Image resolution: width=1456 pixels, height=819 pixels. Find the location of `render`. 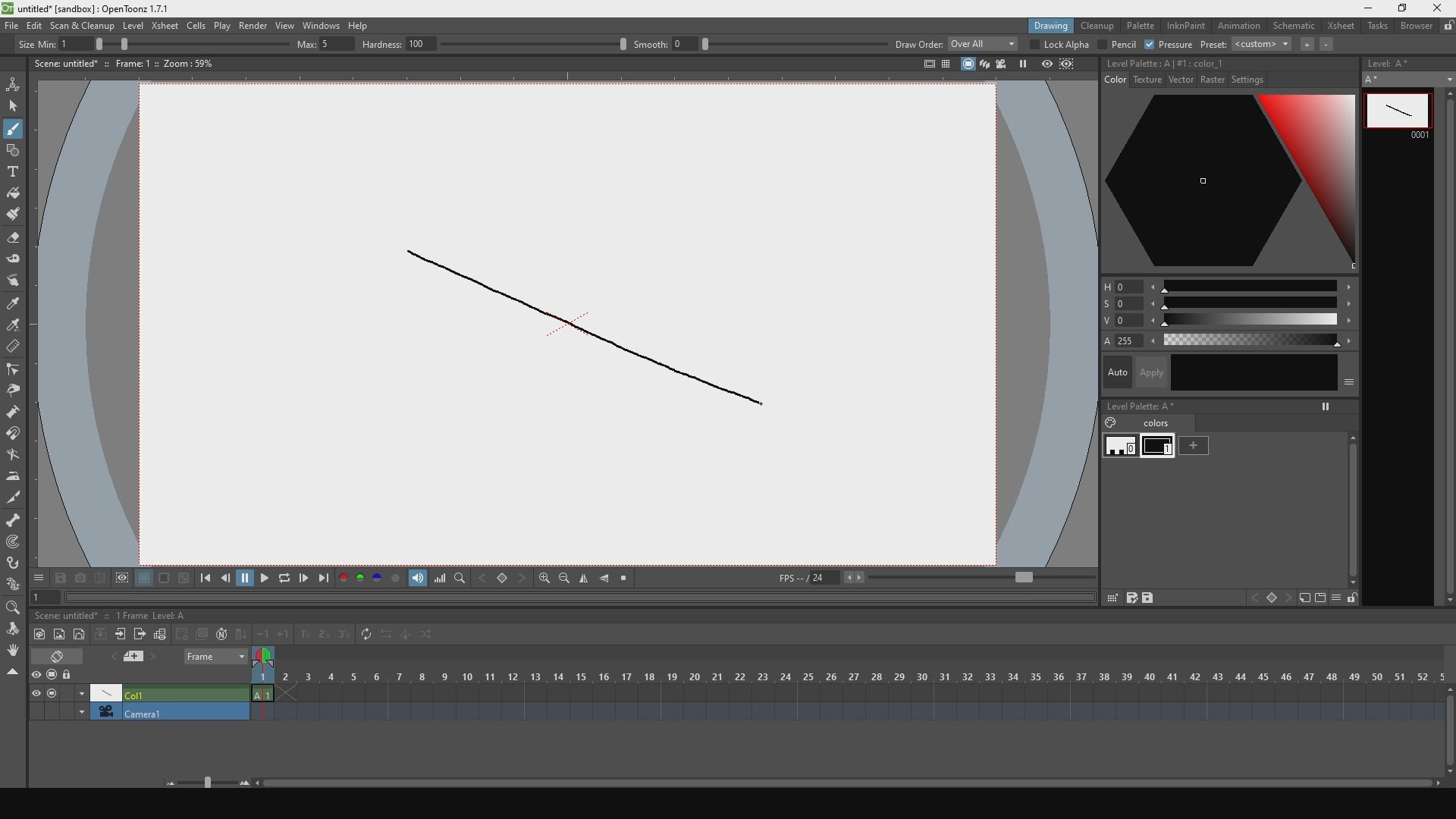

render is located at coordinates (252, 25).